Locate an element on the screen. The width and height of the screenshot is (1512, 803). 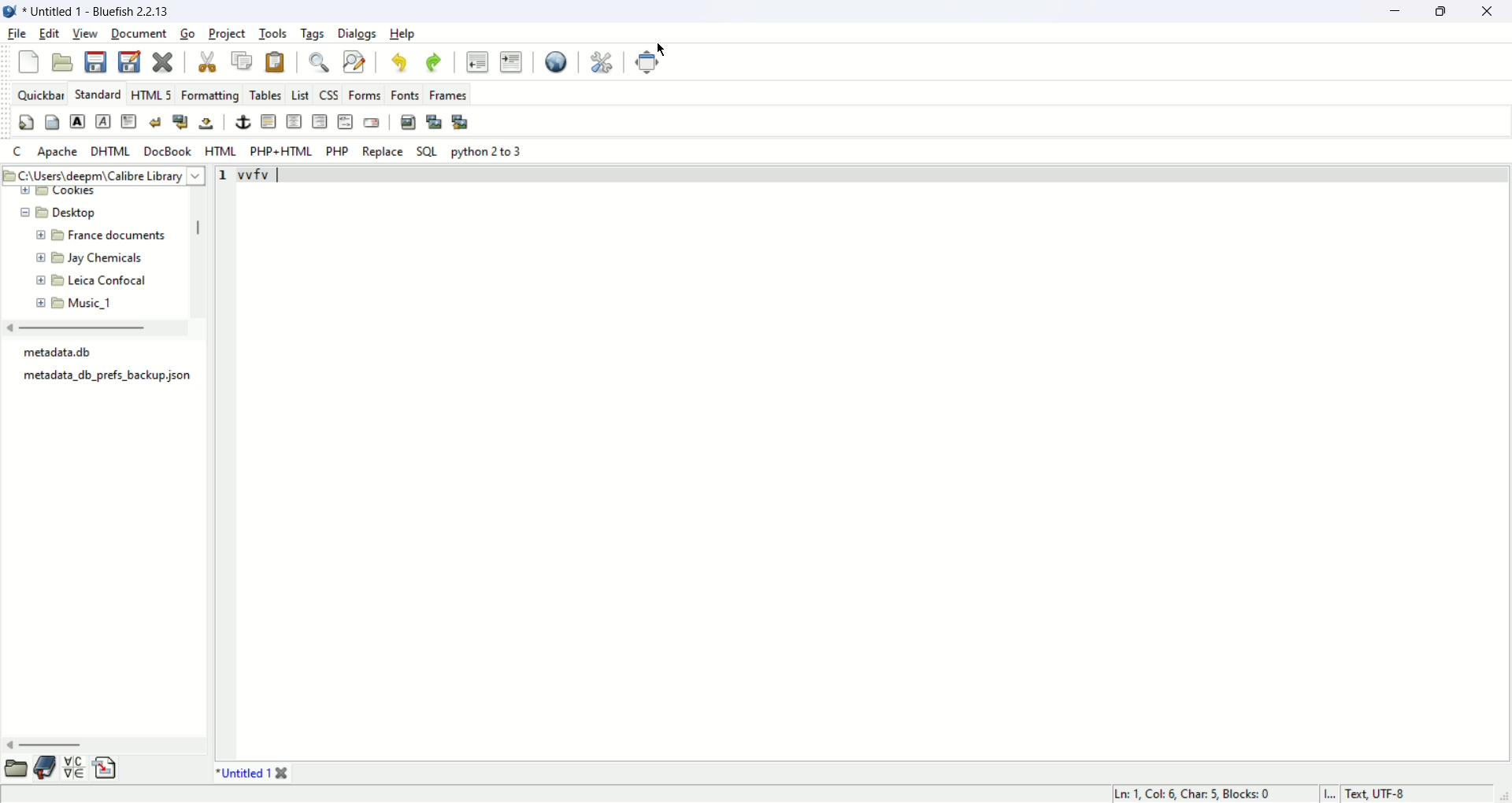
bookmark is located at coordinates (45, 768).